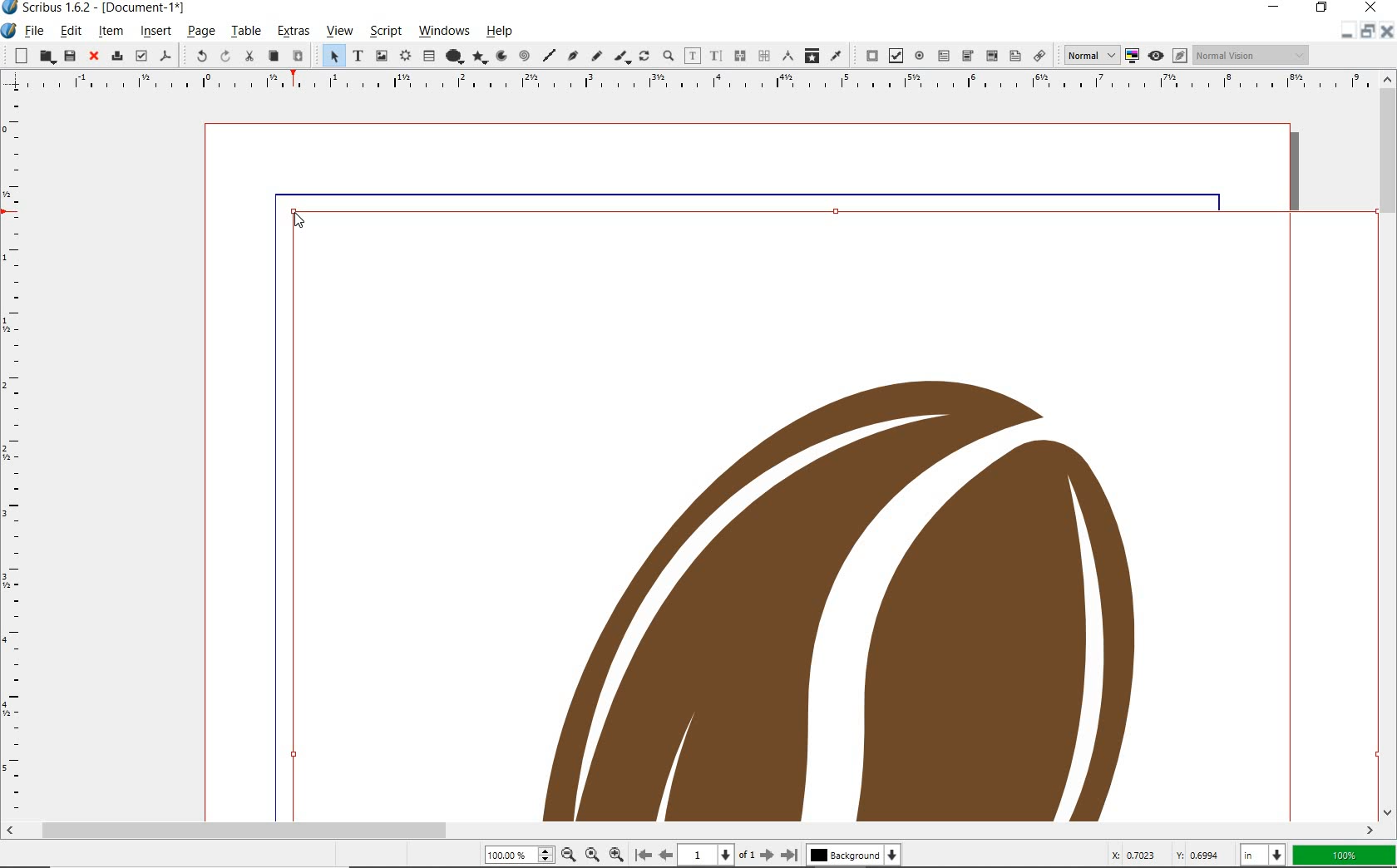 This screenshot has height=868, width=1397. I want to click on new, so click(19, 56).